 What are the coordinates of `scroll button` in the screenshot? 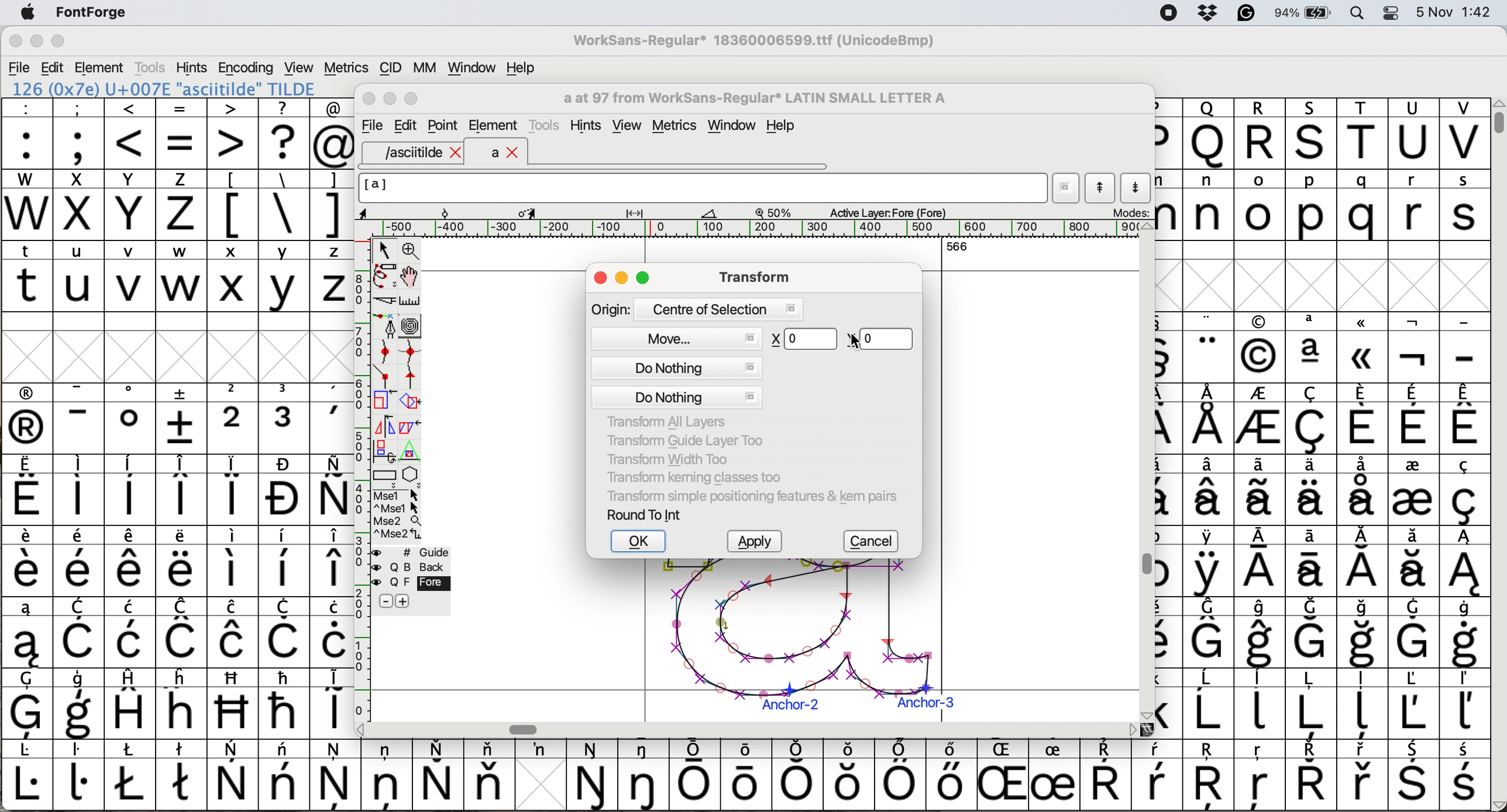 It's located at (1145, 714).